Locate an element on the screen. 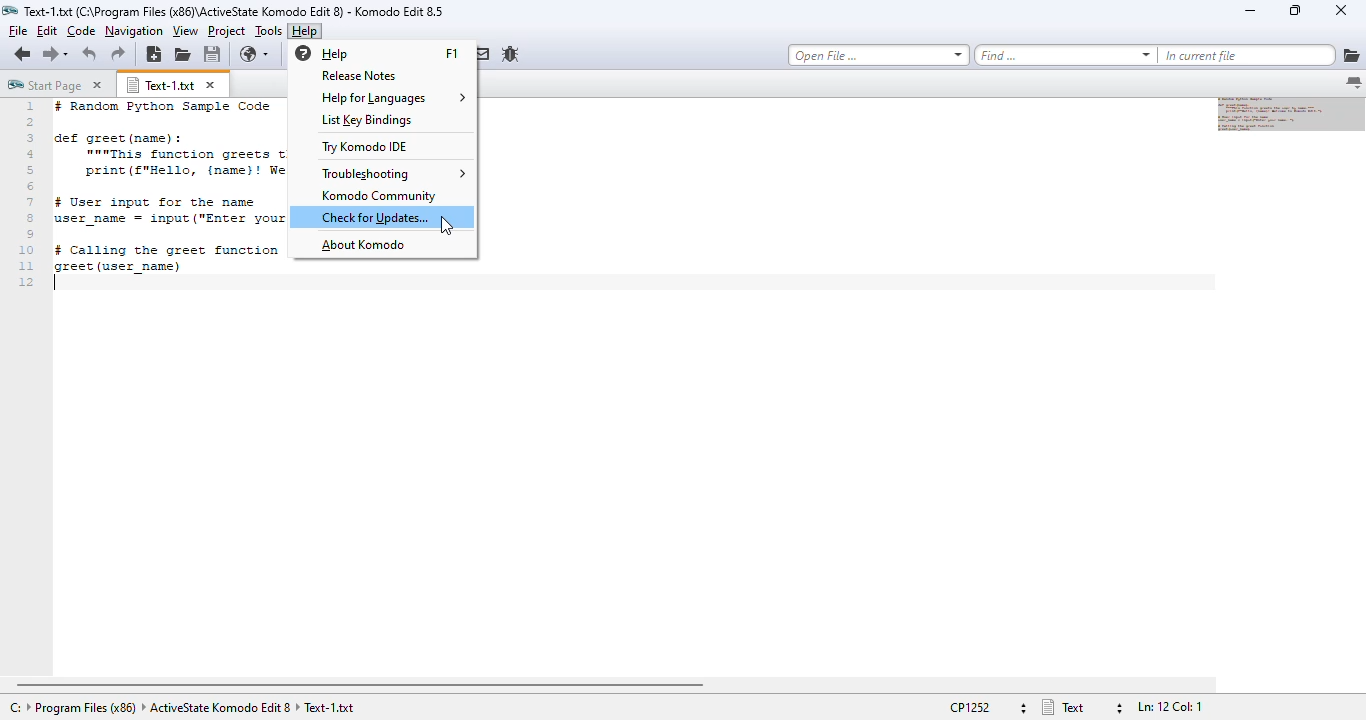 This screenshot has width=1366, height=720. redo last action is located at coordinates (118, 54).